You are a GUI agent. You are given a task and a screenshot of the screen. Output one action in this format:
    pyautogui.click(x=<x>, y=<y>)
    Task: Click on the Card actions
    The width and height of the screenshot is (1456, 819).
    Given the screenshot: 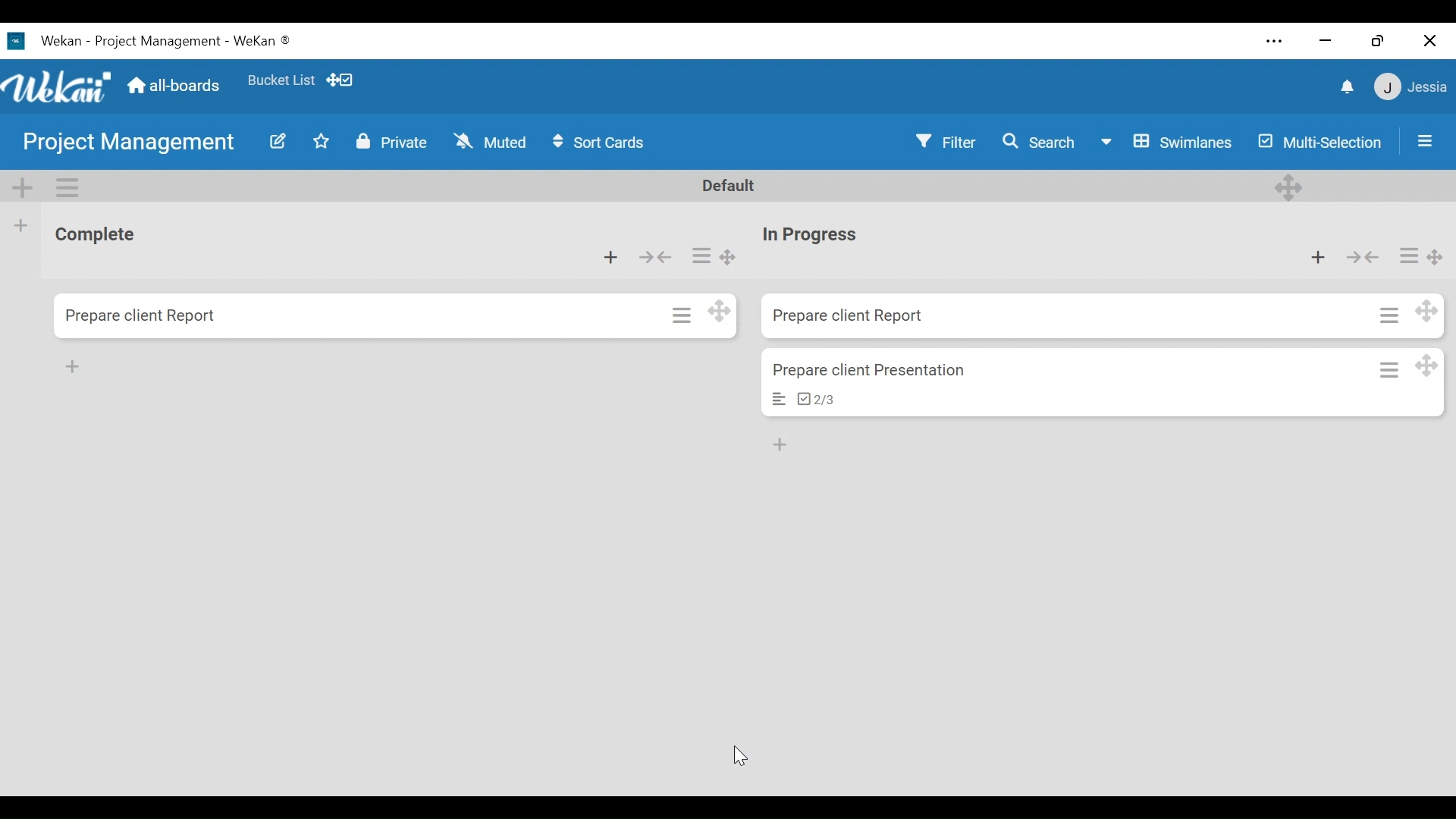 What is the action you would take?
    pyautogui.click(x=1389, y=369)
    